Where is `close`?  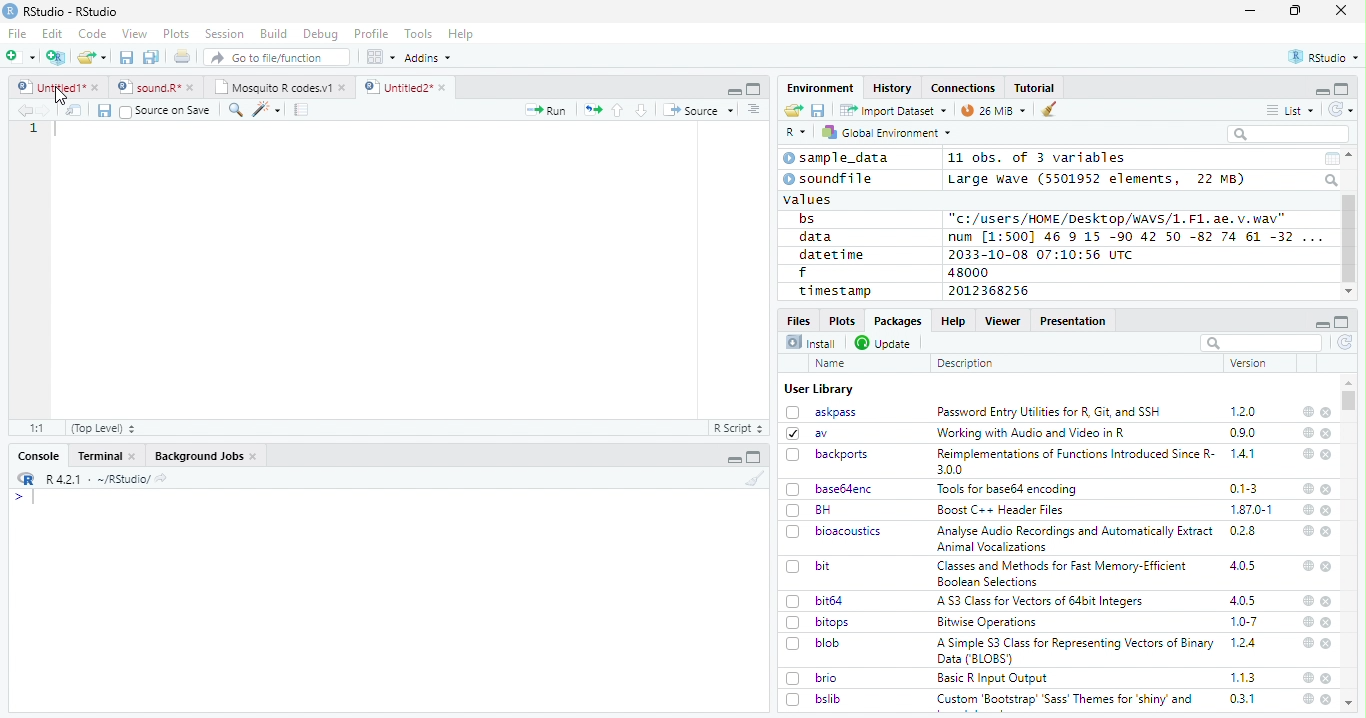
close is located at coordinates (1327, 434).